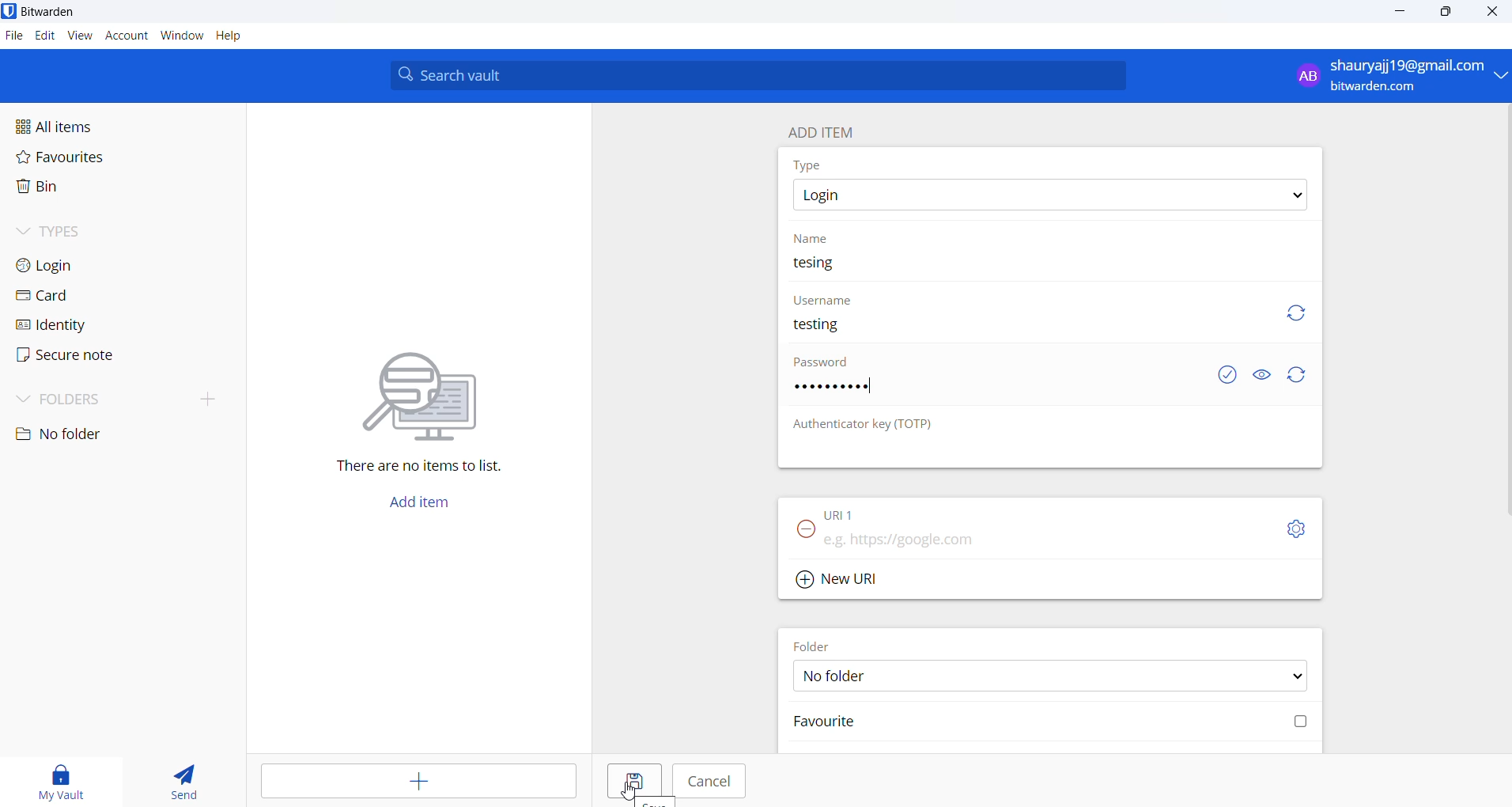 The image size is (1512, 807). What do you see at coordinates (1045, 535) in the screenshot?
I see `URL input box` at bounding box center [1045, 535].